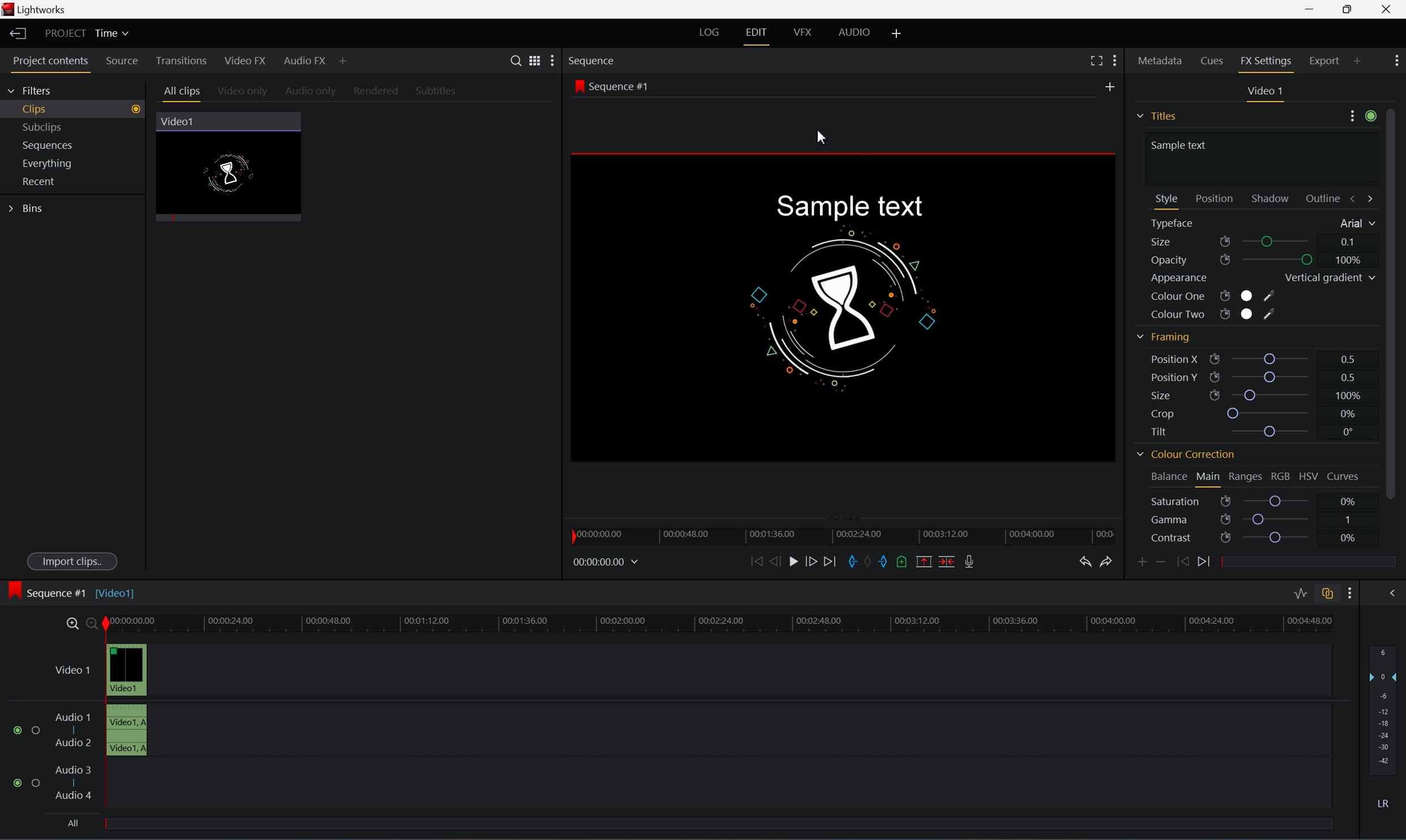 The width and height of the screenshot is (1406, 840). I want to click on audio, so click(860, 32).